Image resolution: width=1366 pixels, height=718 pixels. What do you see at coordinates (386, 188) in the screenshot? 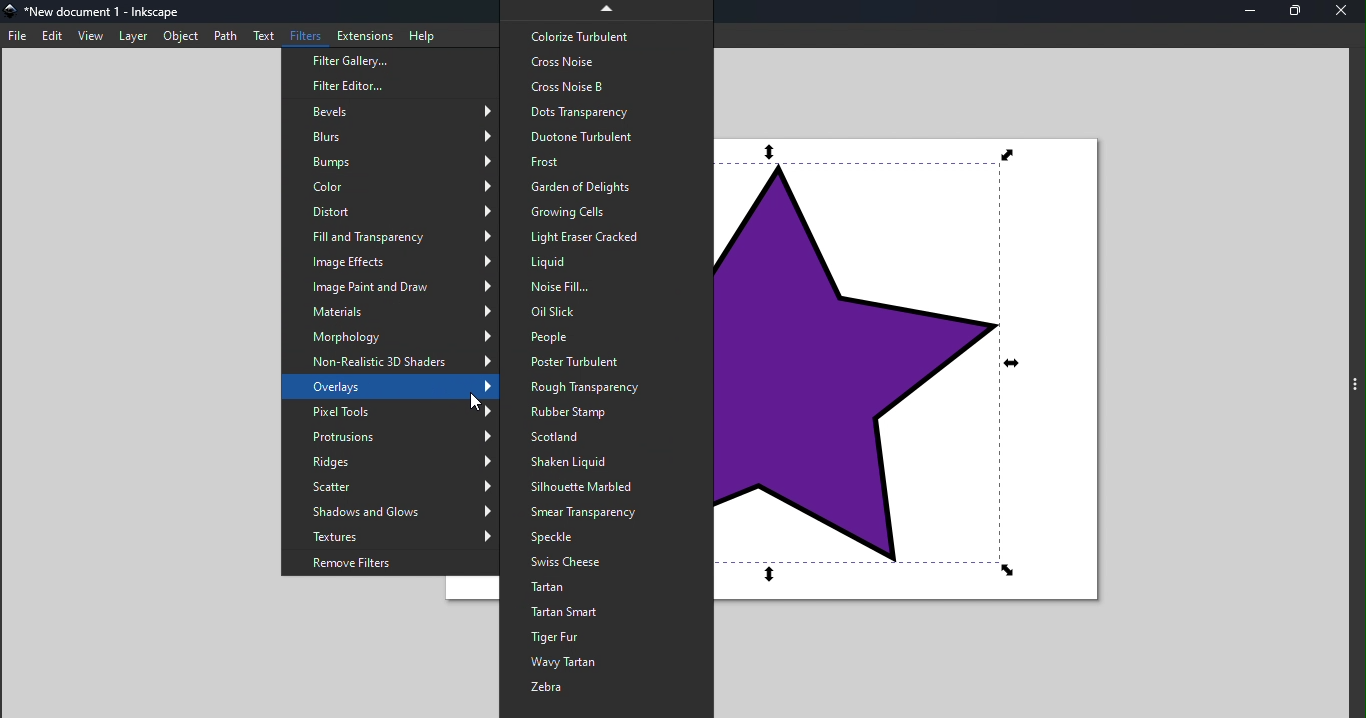
I see `Color` at bounding box center [386, 188].